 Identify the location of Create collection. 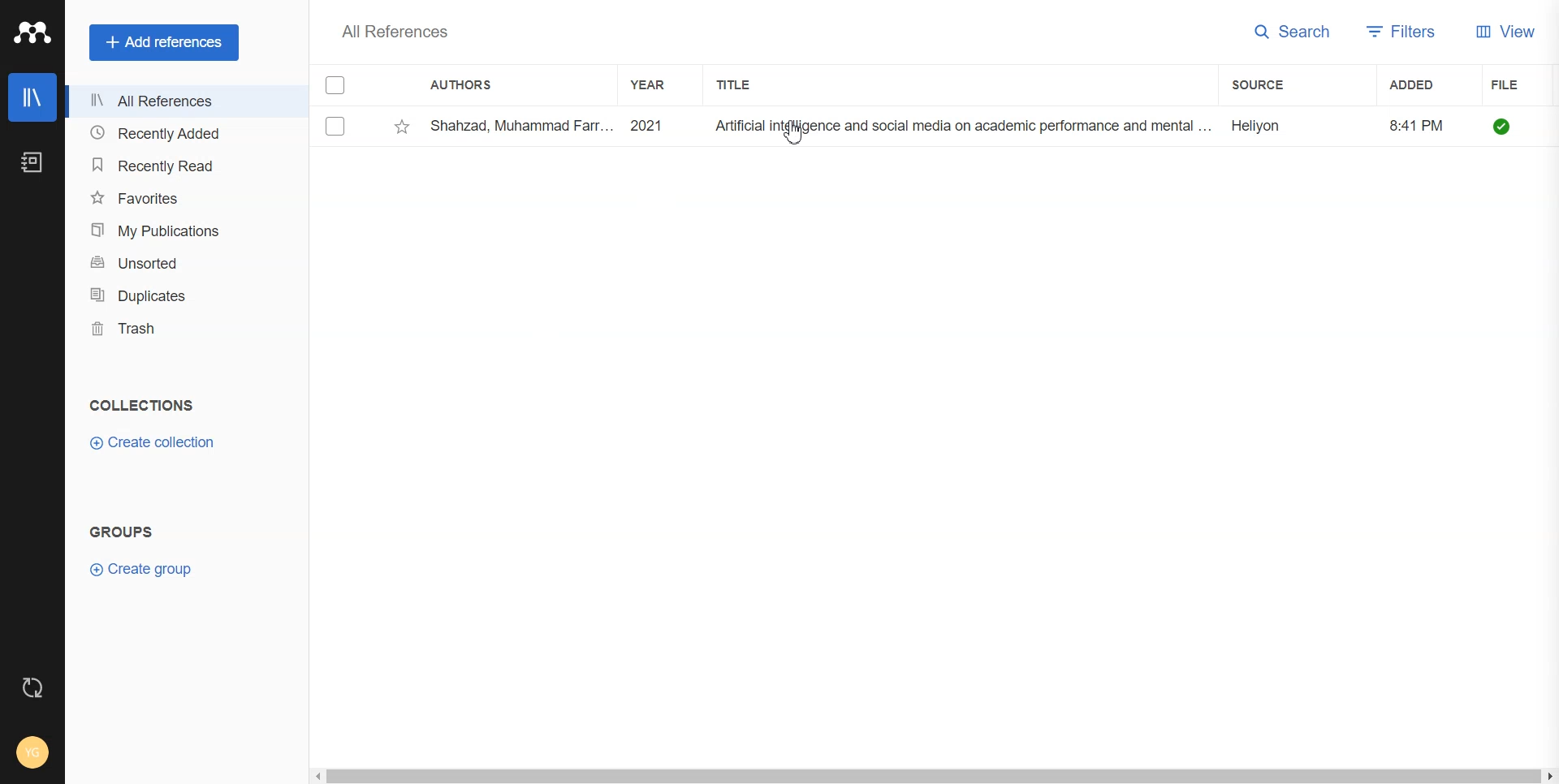
(153, 442).